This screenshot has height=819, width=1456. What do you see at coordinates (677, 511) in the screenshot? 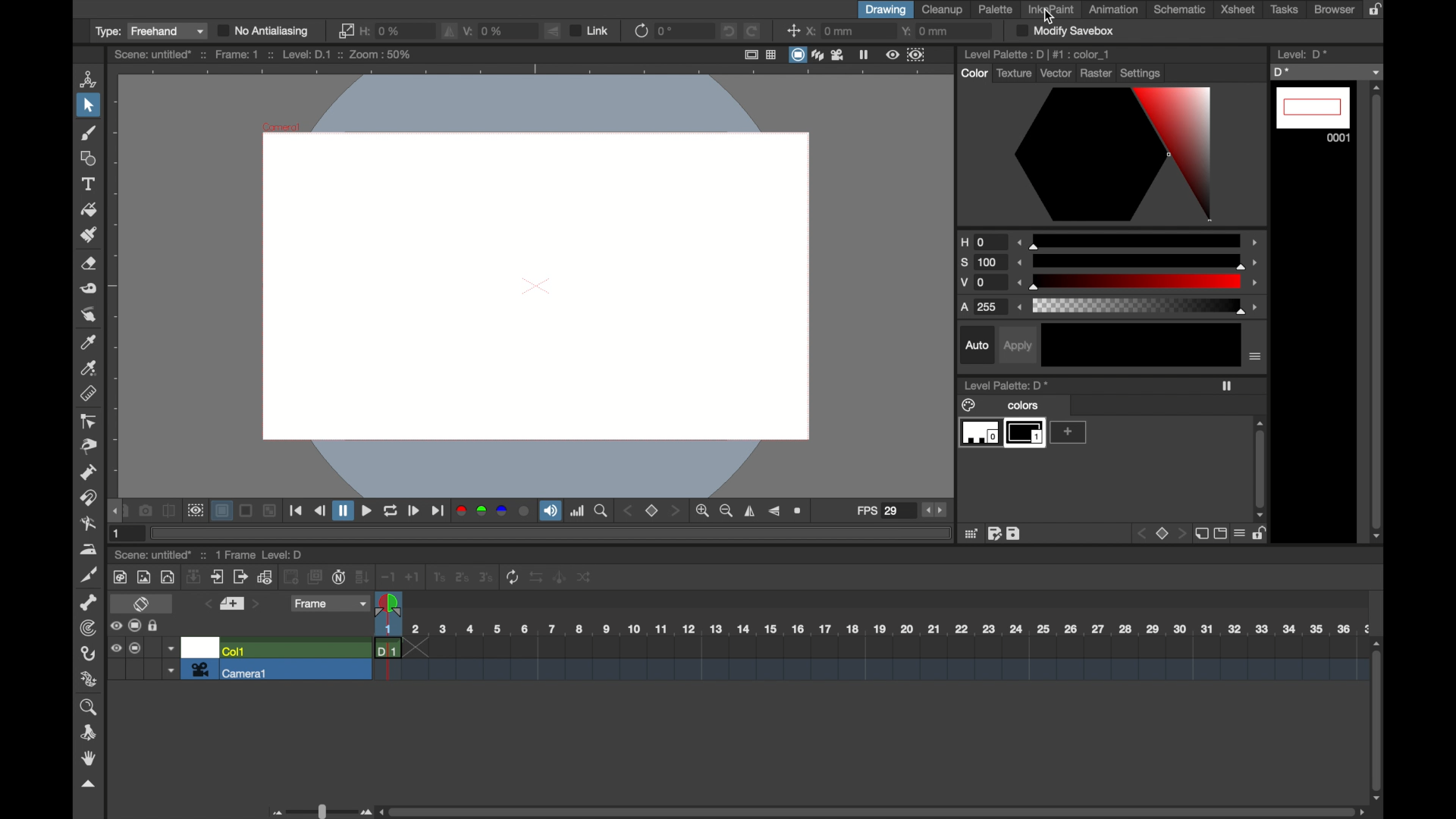
I see `front` at bounding box center [677, 511].